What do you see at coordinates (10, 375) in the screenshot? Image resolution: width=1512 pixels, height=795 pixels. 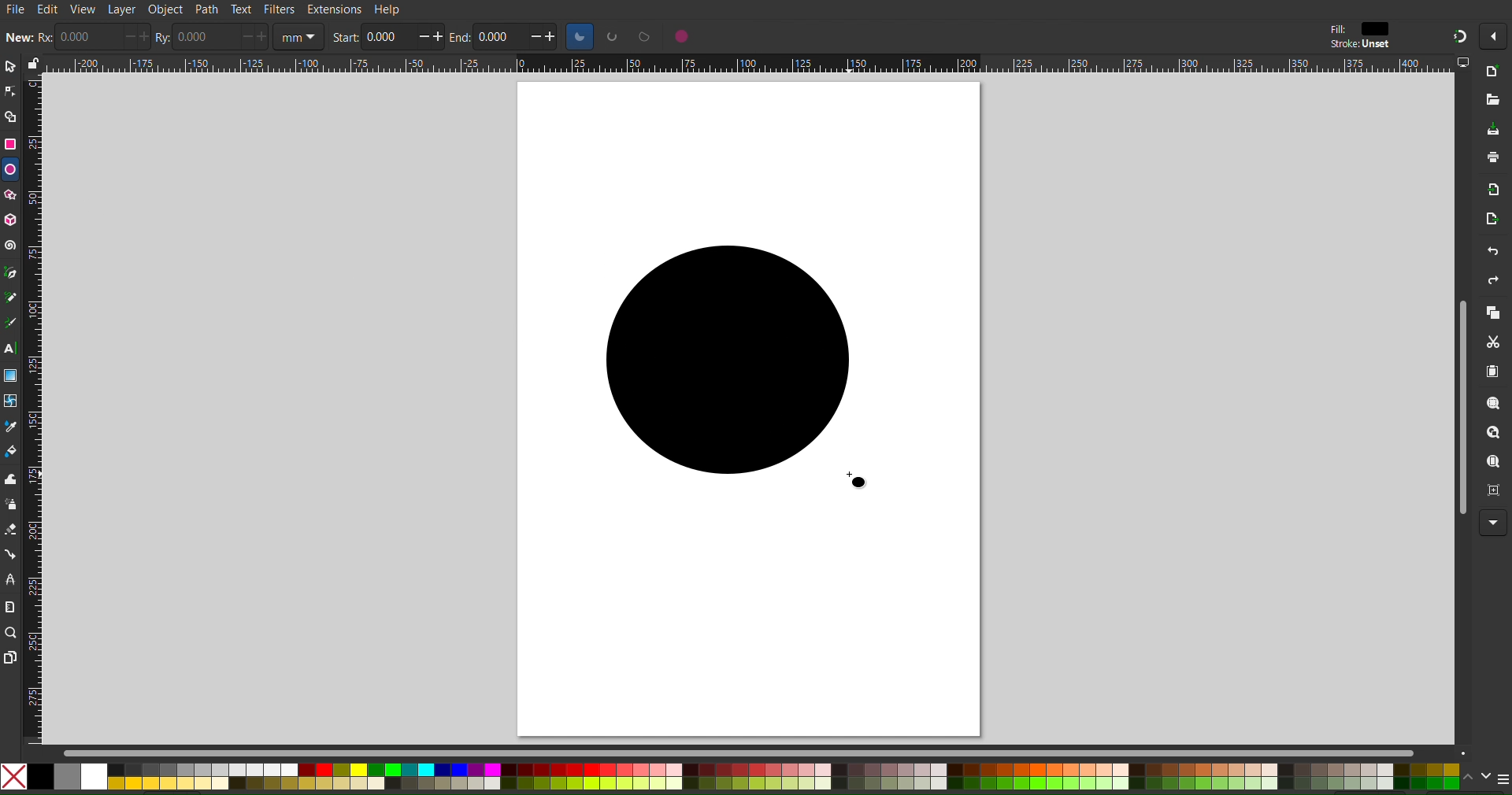 I see `Gradient Tool` at bounding box center [10, 375].